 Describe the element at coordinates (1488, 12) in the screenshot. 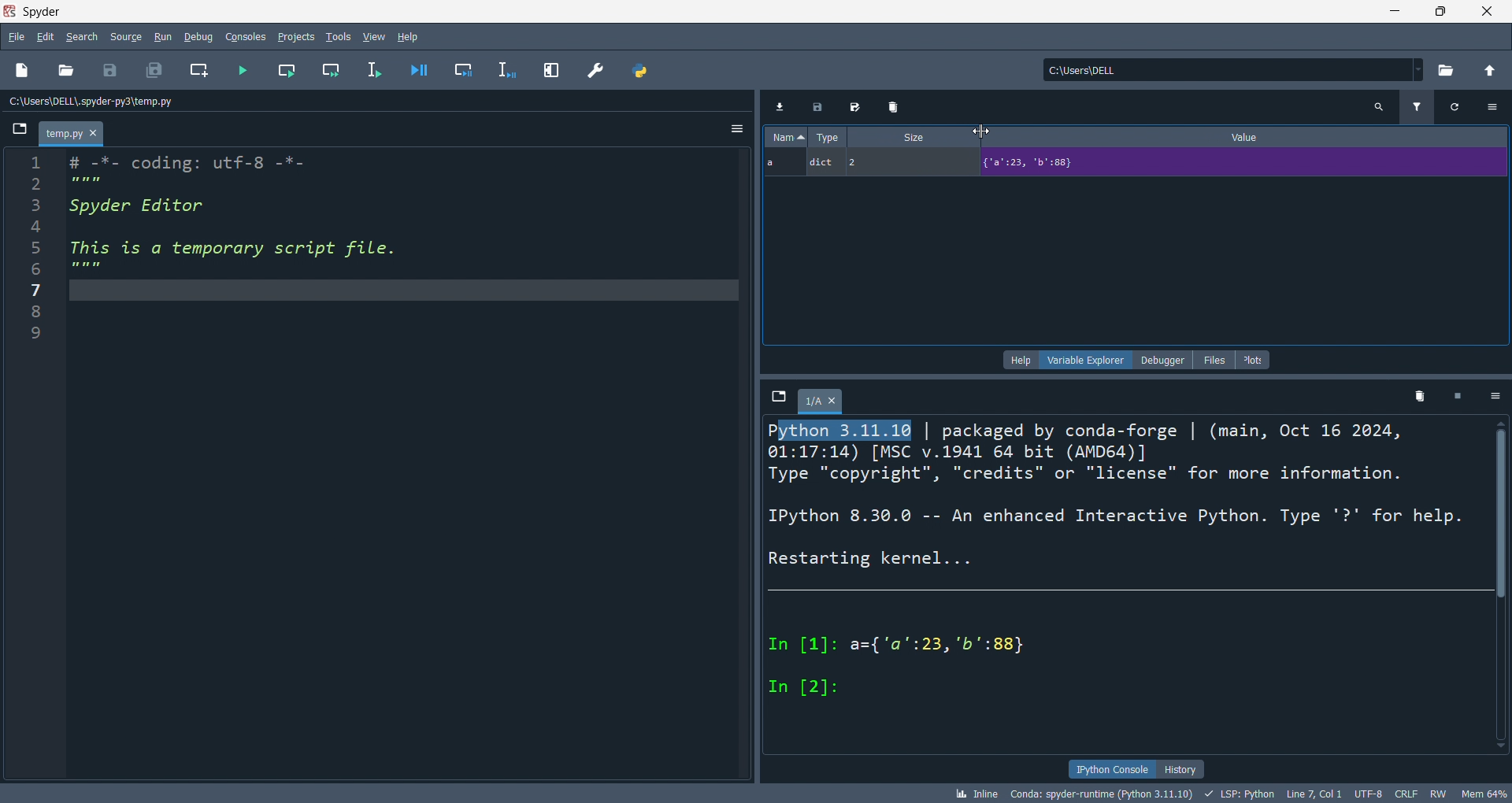

I see `close` at that location.